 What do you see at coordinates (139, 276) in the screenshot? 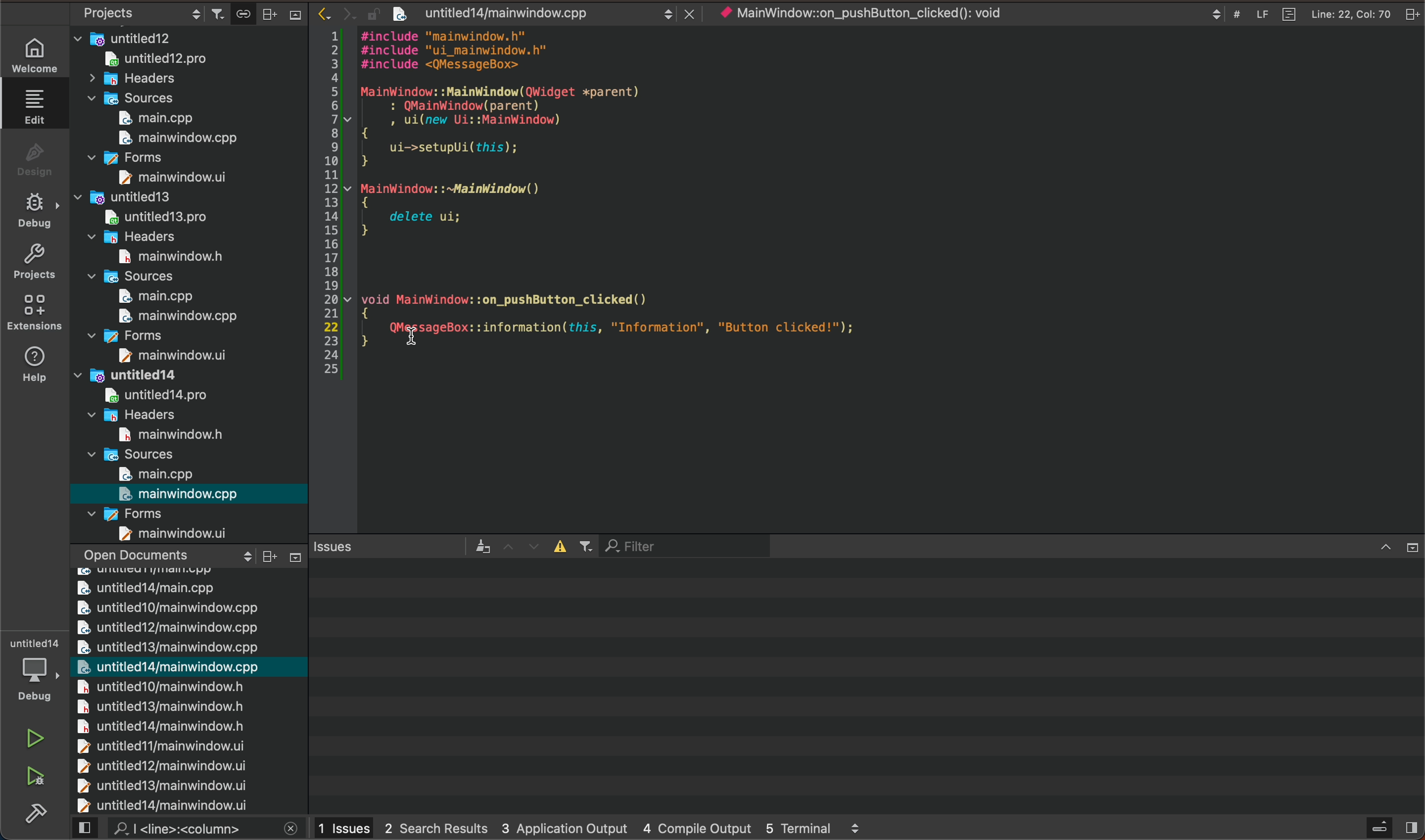
I see `sources` at bounding box center [139, 276].